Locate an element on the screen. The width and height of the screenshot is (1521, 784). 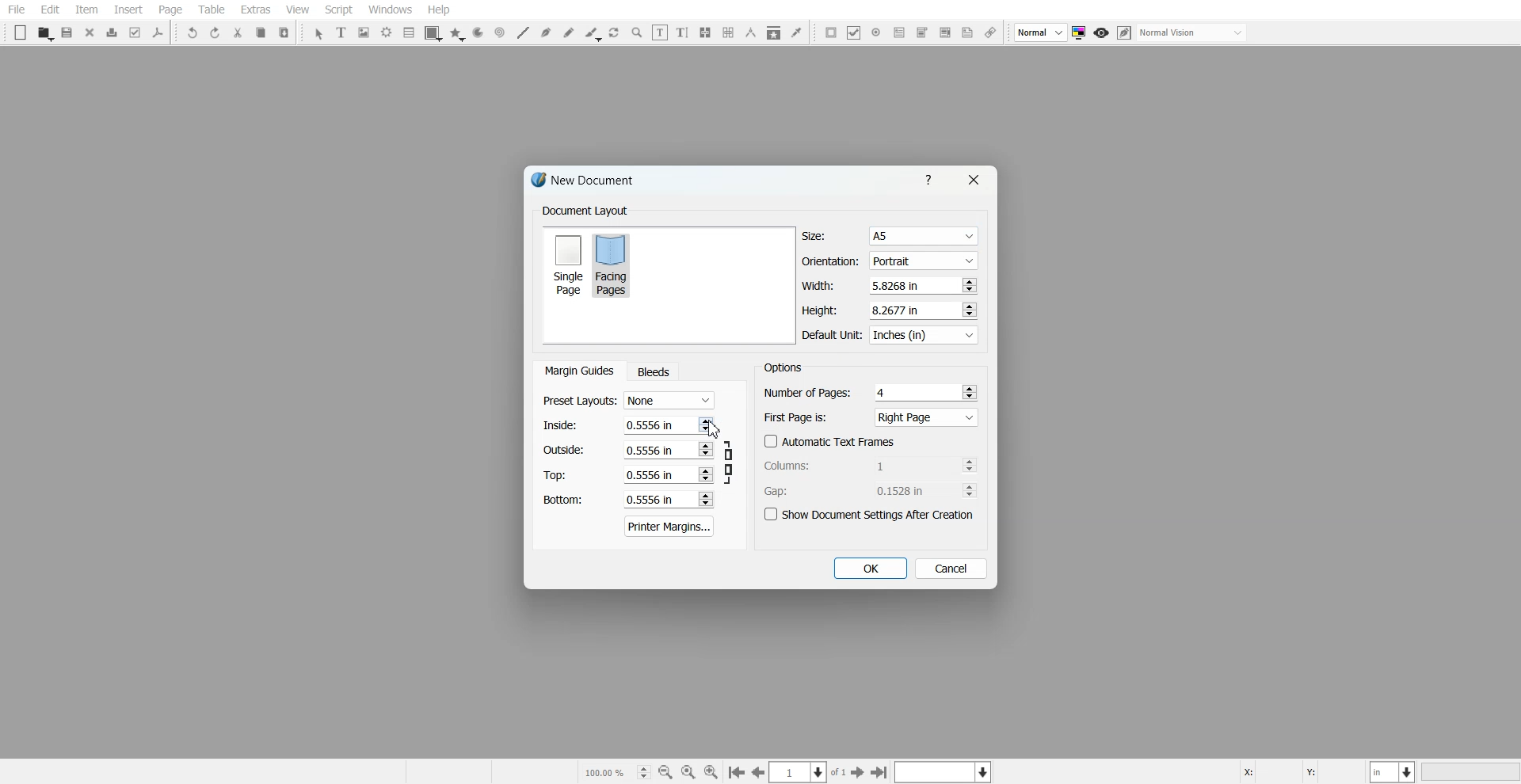
X, Y Co-ordinate is located at coordinates (1302, 771).